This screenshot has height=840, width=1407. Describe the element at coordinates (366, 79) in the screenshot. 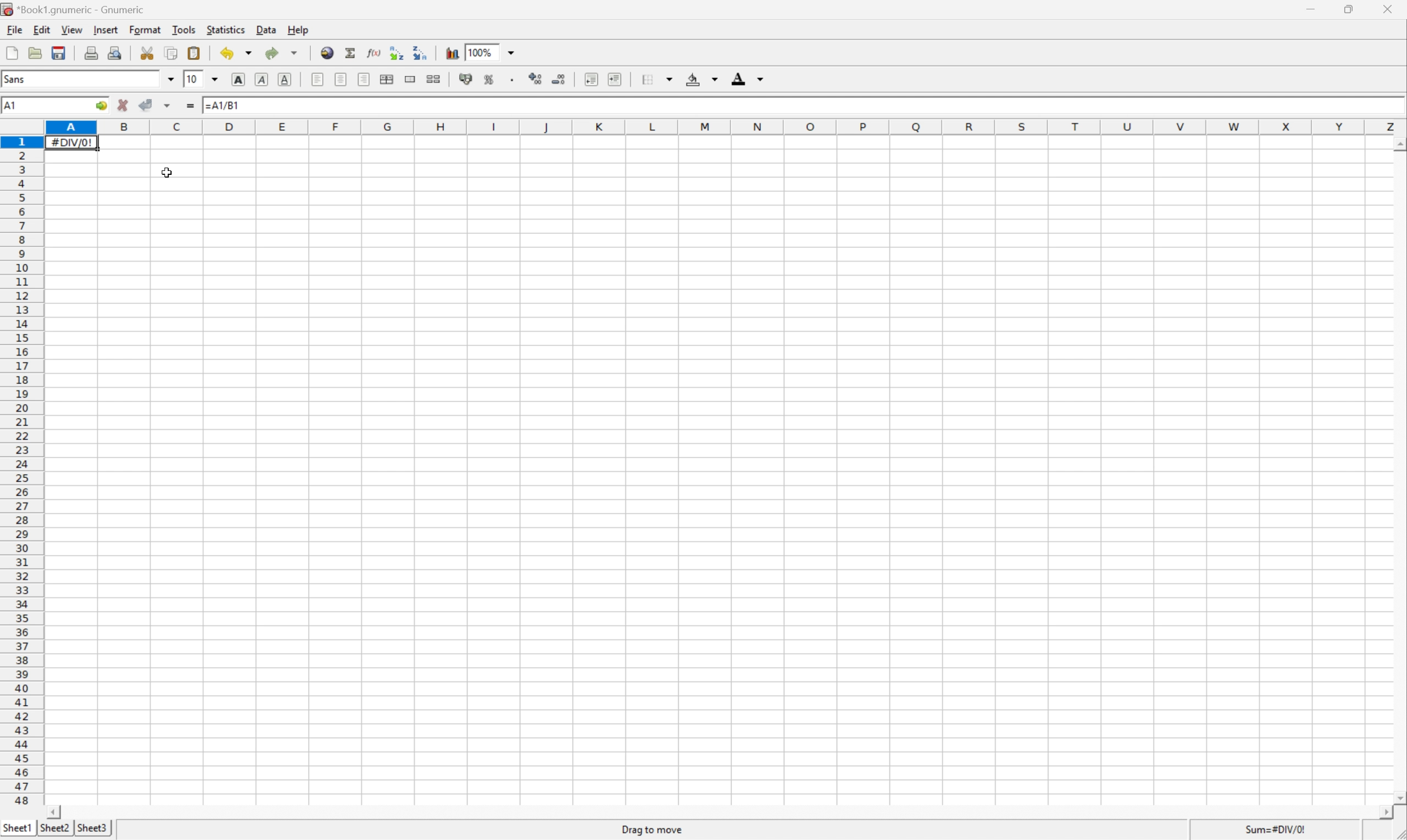

I see `Align right` at that location.